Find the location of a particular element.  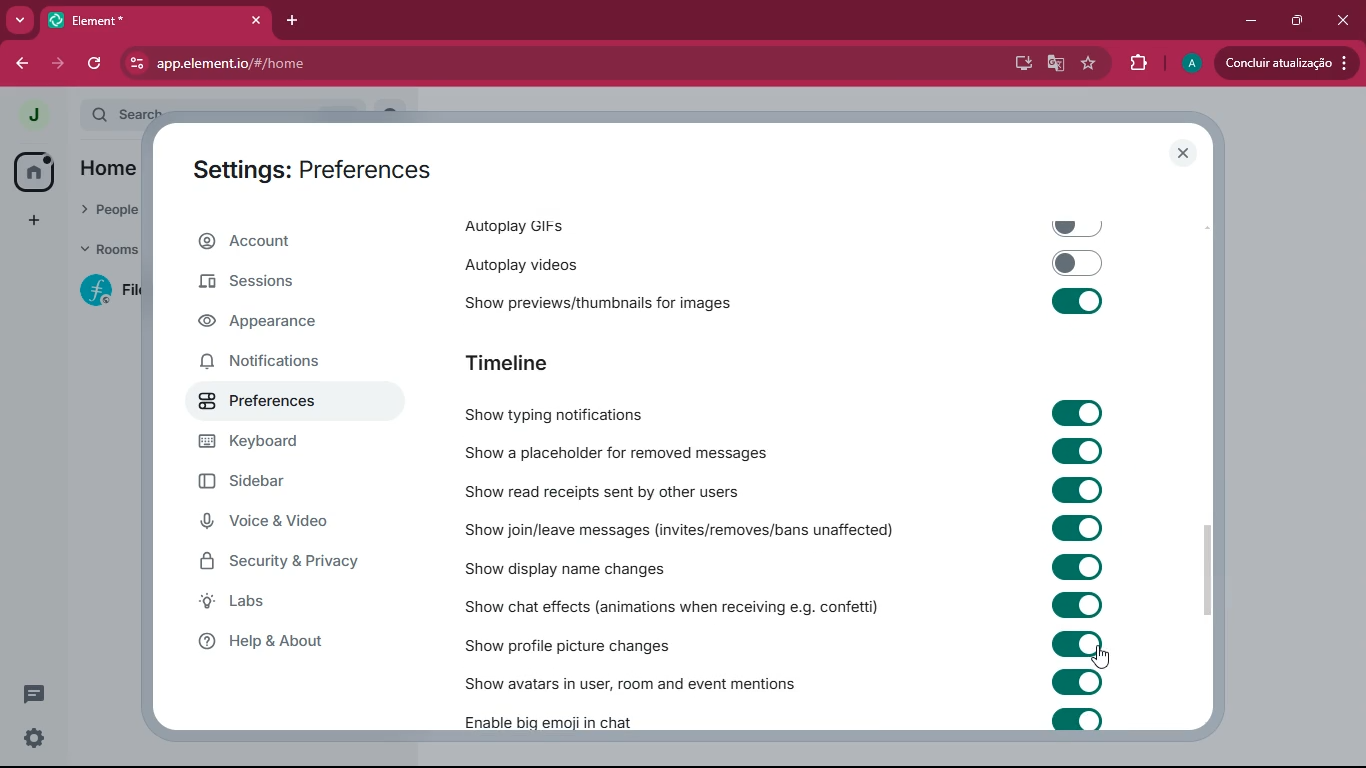

quick settings is located at coordinates (35, 739).